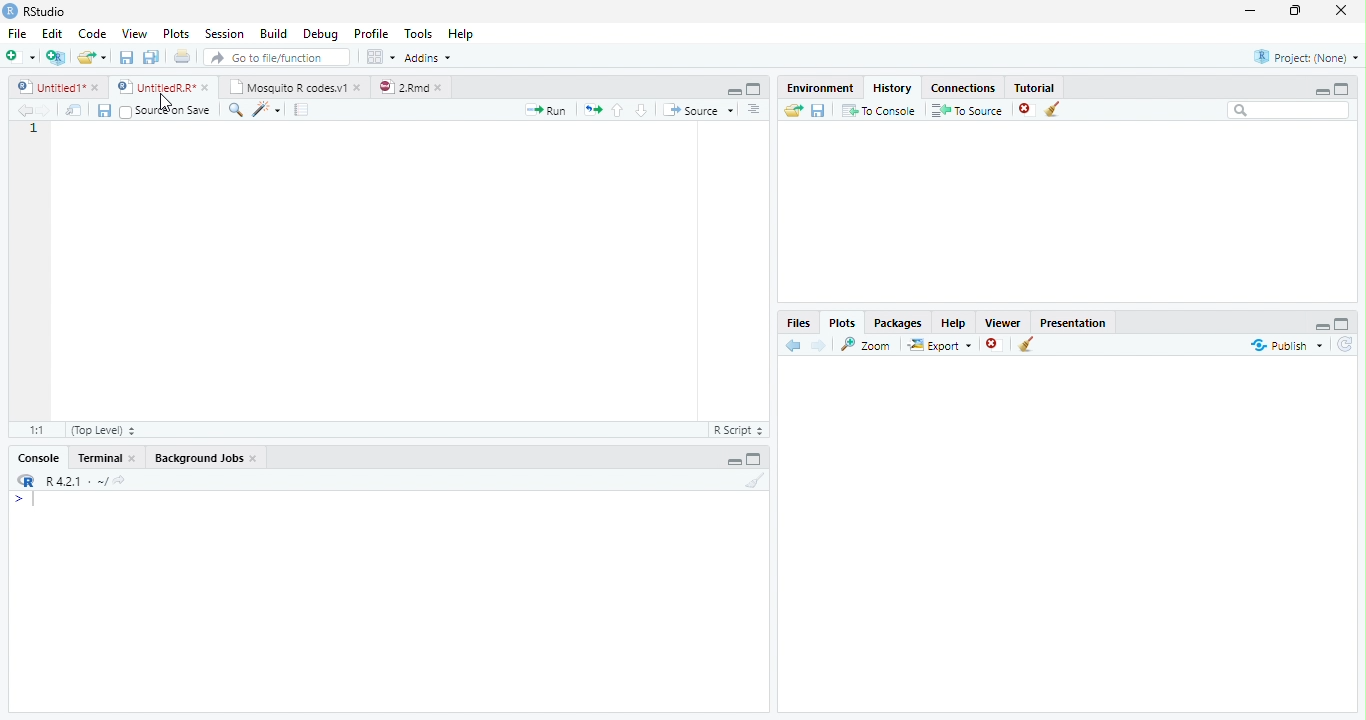  Describe the element at coordinates (275, 57) in the screenshot. I see `Go to file/function` at that location.